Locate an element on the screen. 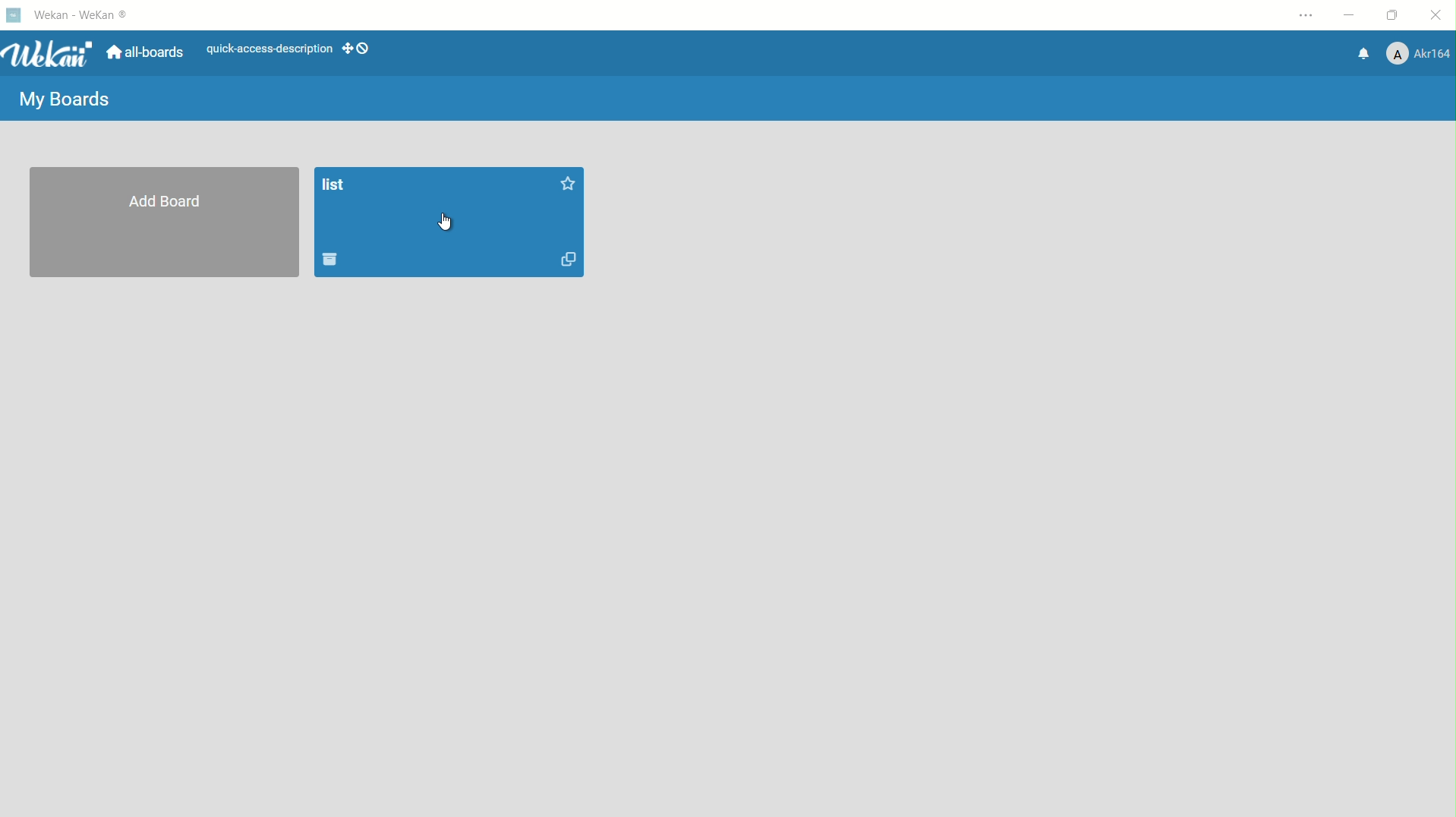 This screenshot has width=1456, height=817. cursor is located at coordinates (445, 223).